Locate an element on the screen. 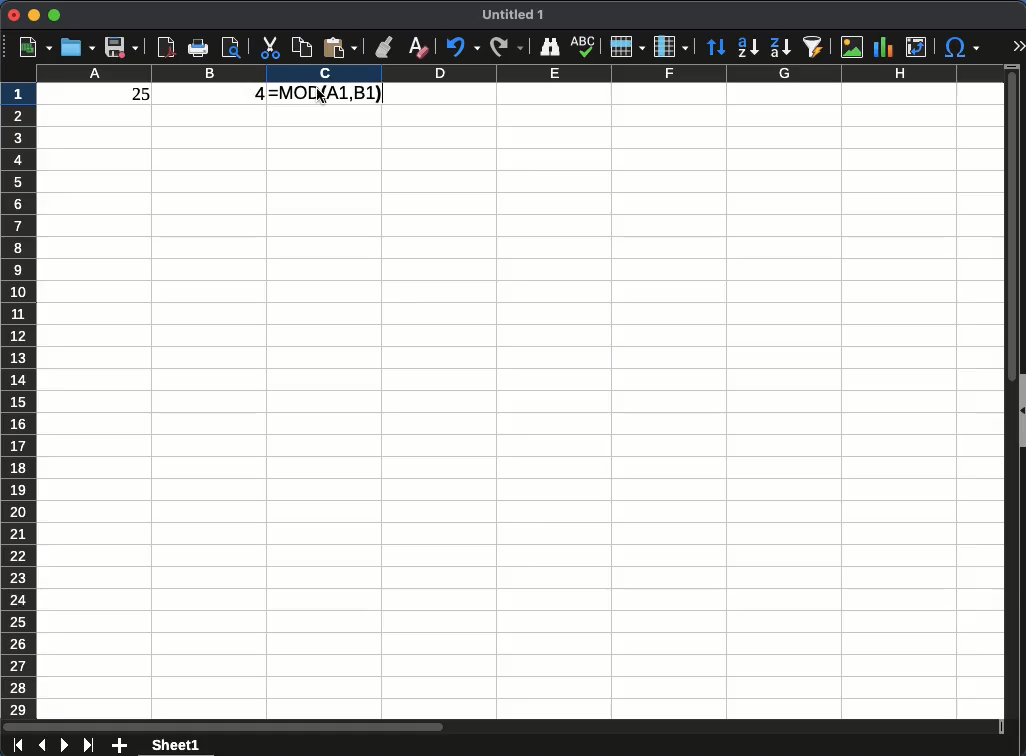 The height and width of the screenshot is (756, 1026). clear formatting is located at coordinates (420, 47).